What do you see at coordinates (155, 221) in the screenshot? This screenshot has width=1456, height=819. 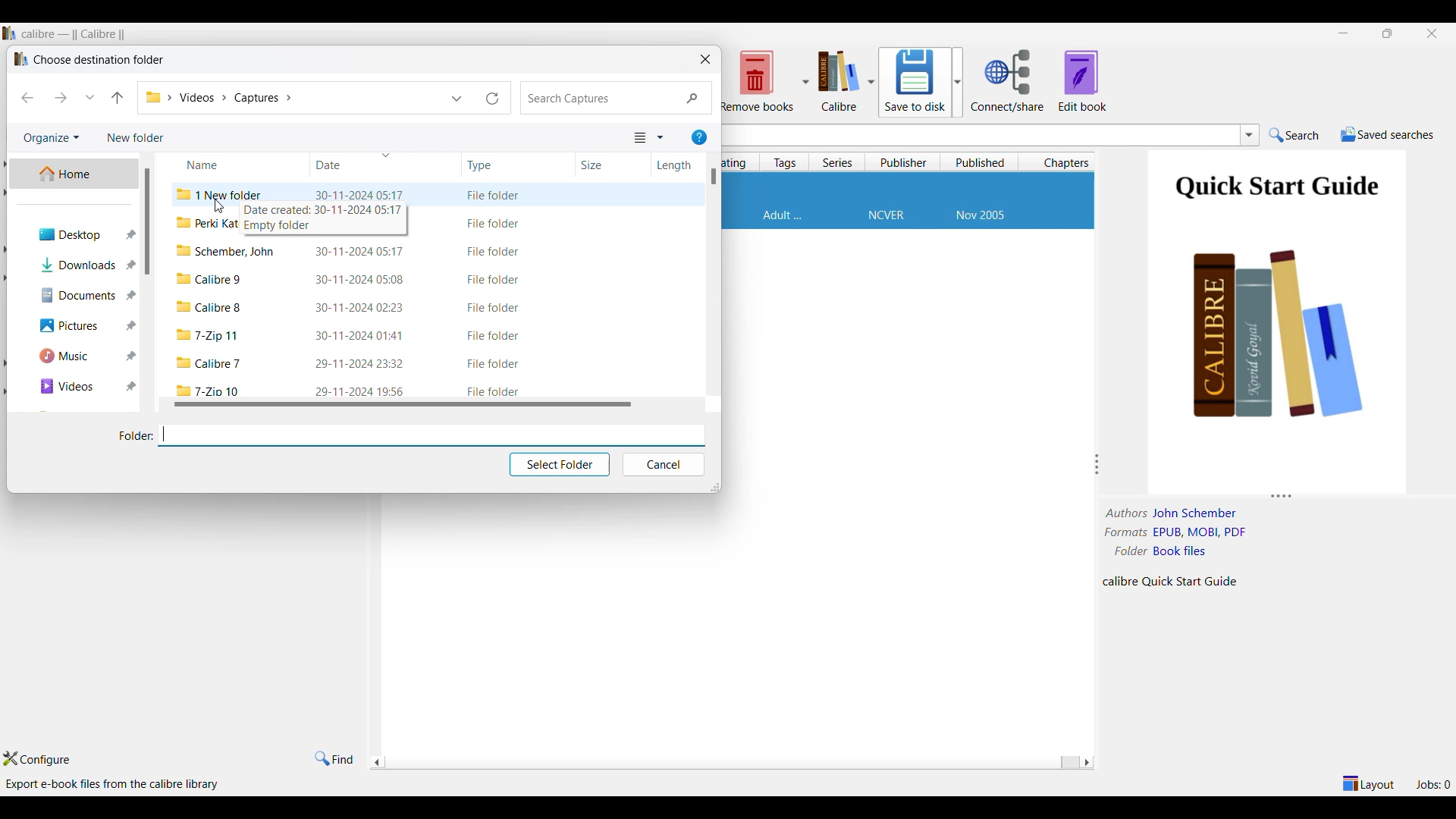 I see `Vertical scroll bar` at bounding box center [155, 221].